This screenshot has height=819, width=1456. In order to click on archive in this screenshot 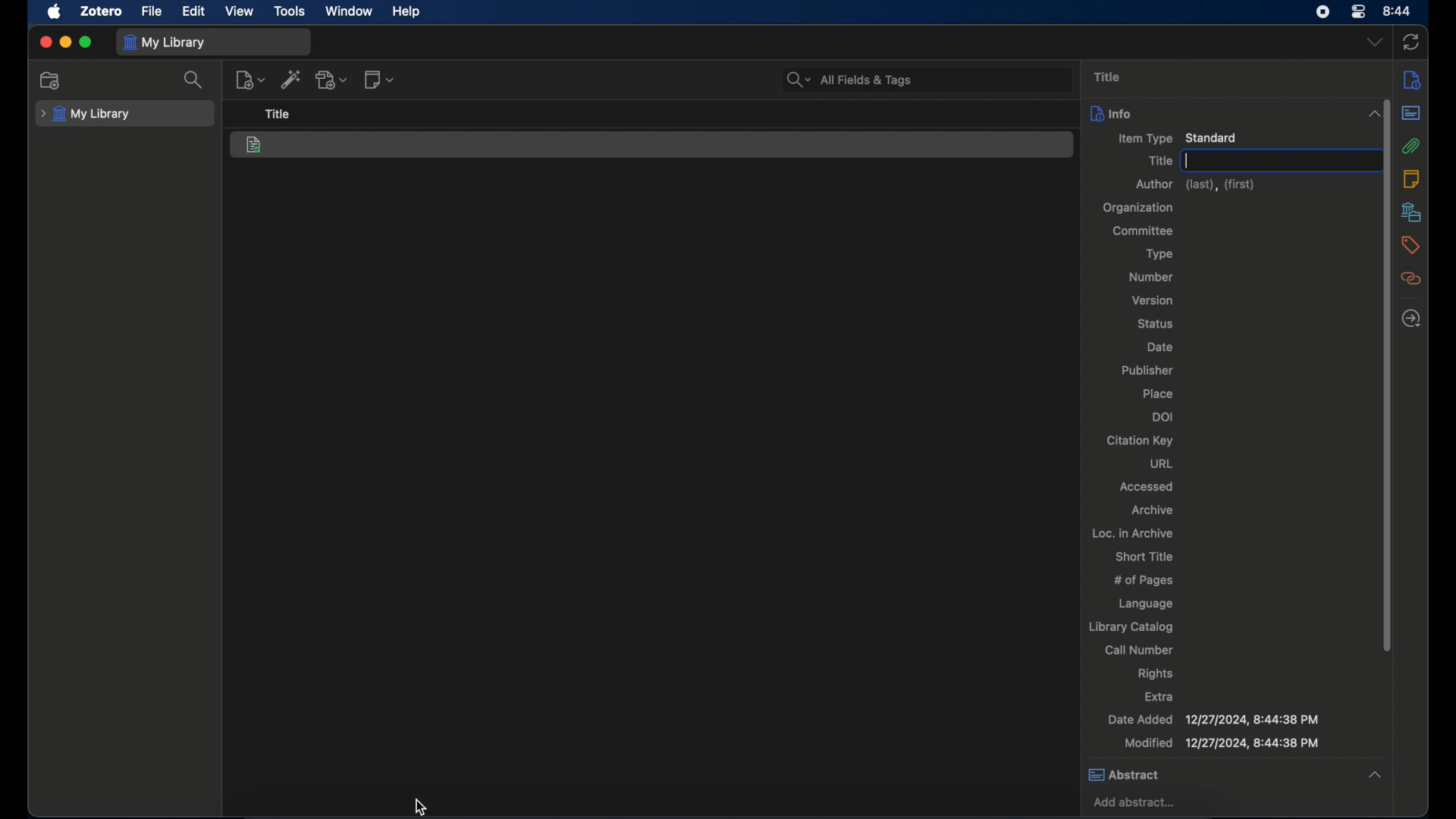, I will do `click(1151, 509)`.